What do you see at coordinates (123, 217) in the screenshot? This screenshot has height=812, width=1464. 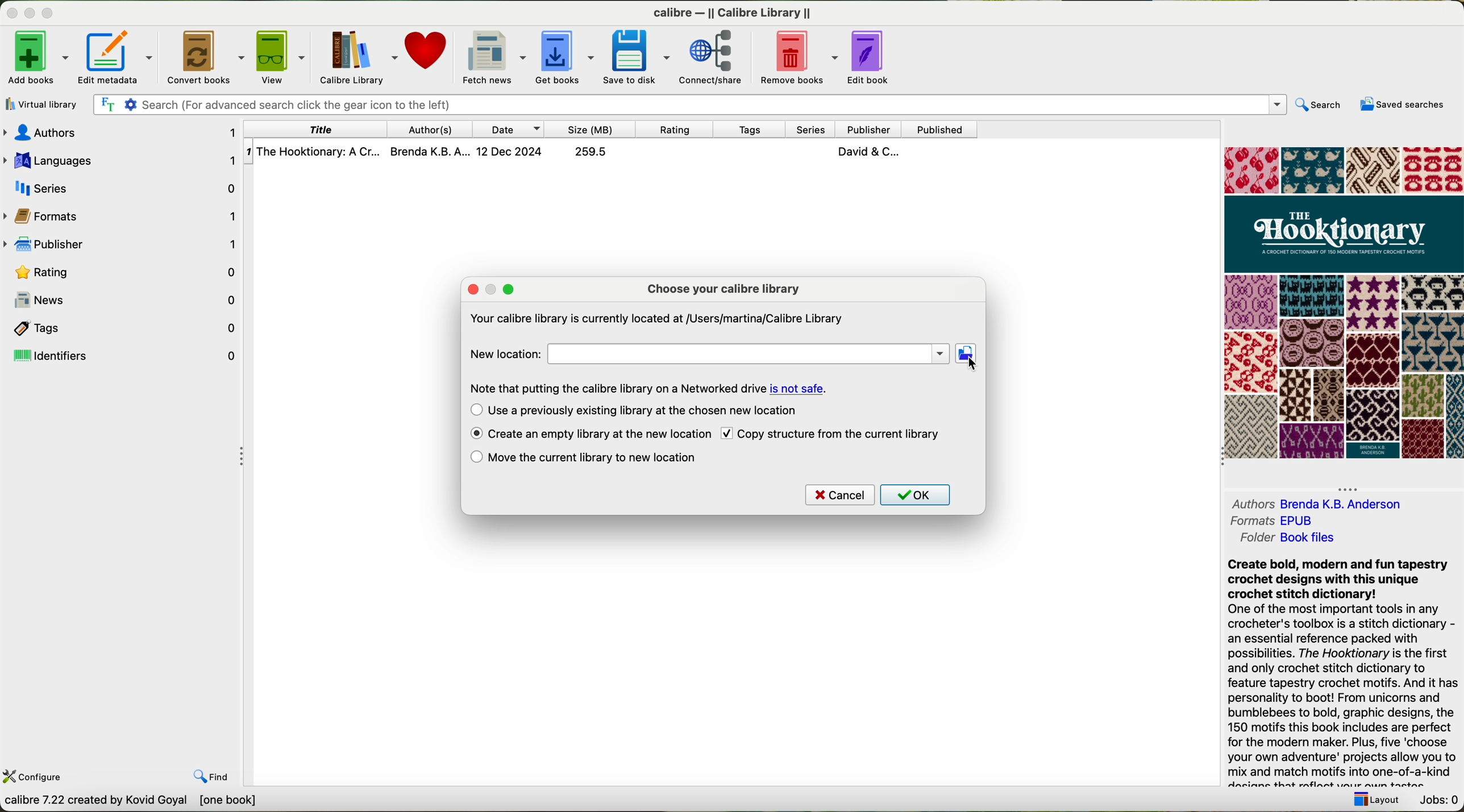 I see `formats` at bounding box center [123, 217].